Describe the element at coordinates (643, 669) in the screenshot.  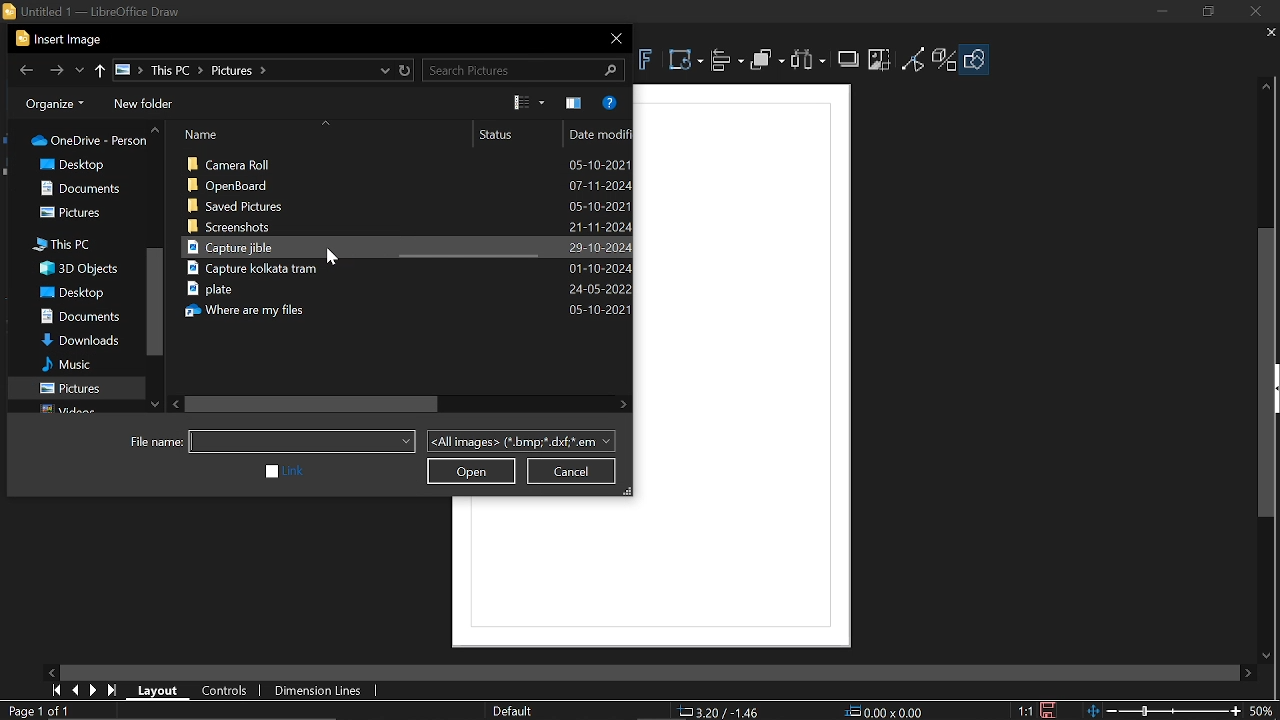
I see `horizontal slider` at that location.